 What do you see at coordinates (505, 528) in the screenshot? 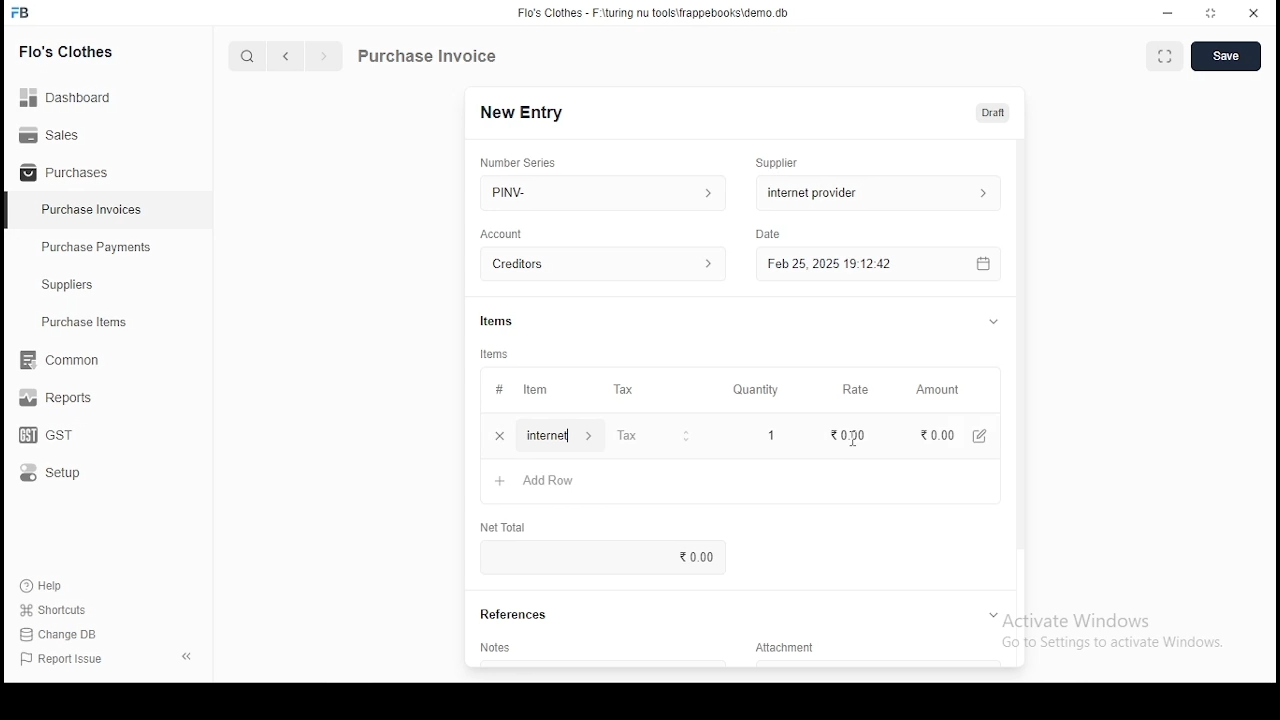
I see `net total` at bounding box center [505, 528].